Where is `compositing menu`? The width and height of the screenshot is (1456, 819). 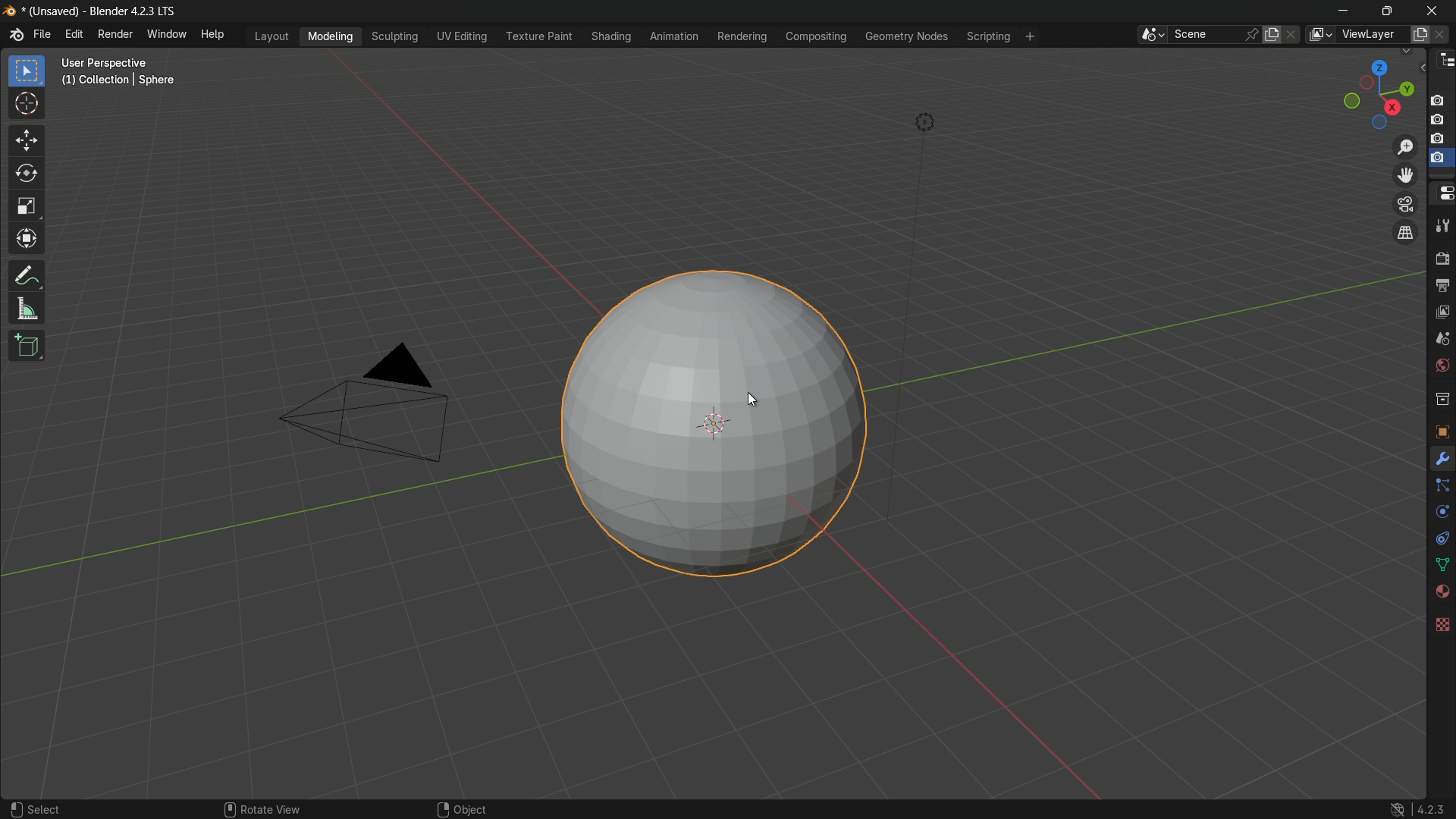 compositing menu is located at coordinates (817, 37).